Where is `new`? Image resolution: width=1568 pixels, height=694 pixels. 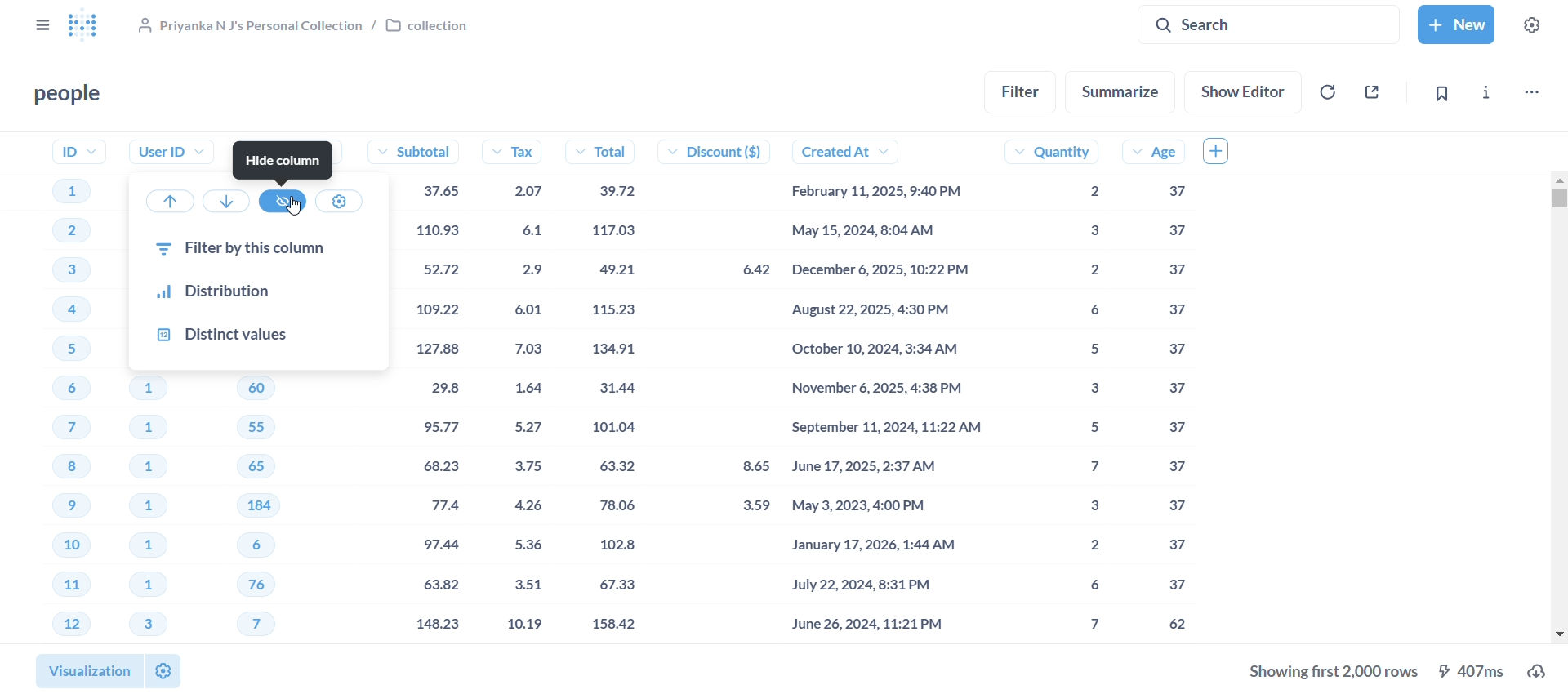 new is located at coordinates (1457, 24).